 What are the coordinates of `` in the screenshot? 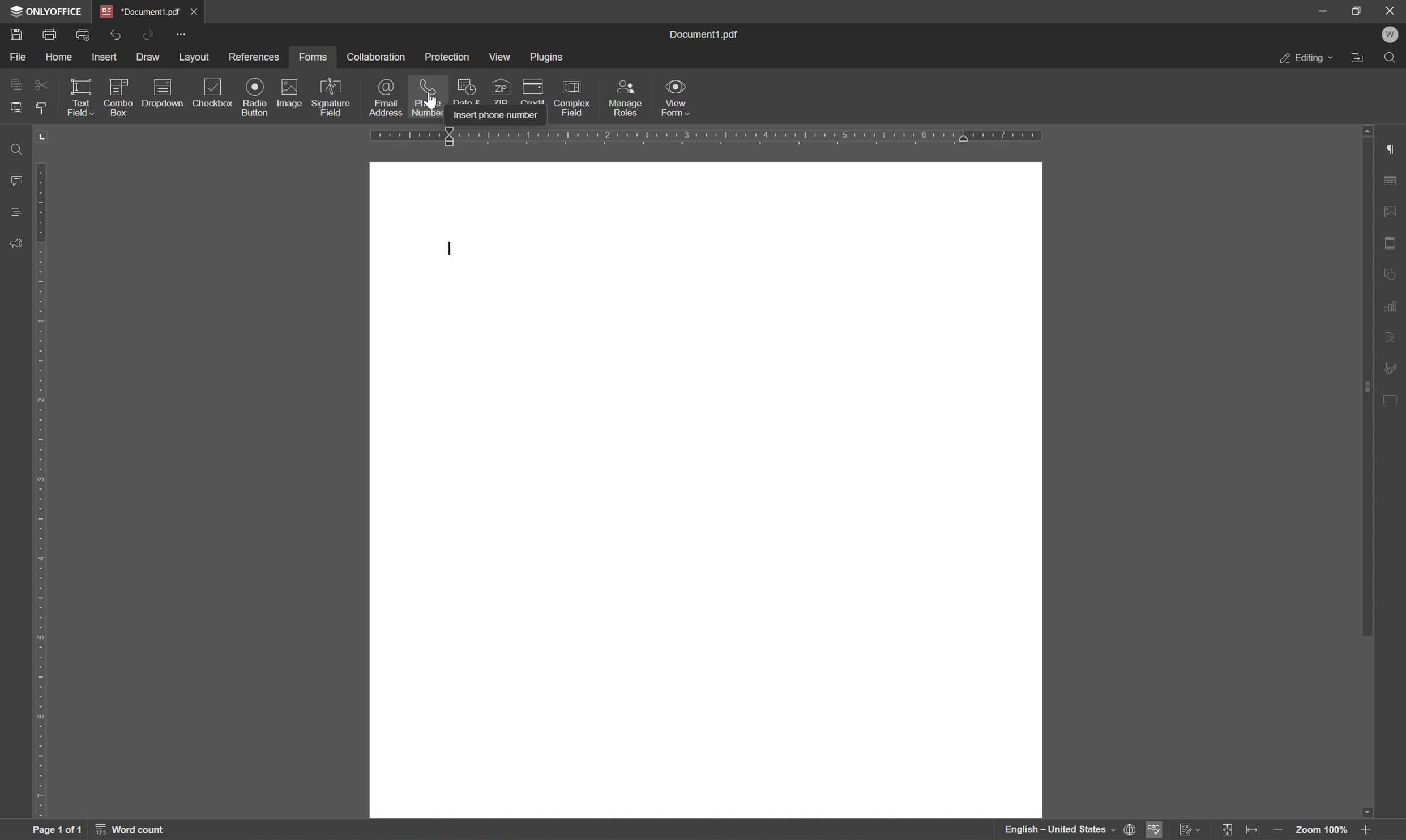 It's located at (501, 57).